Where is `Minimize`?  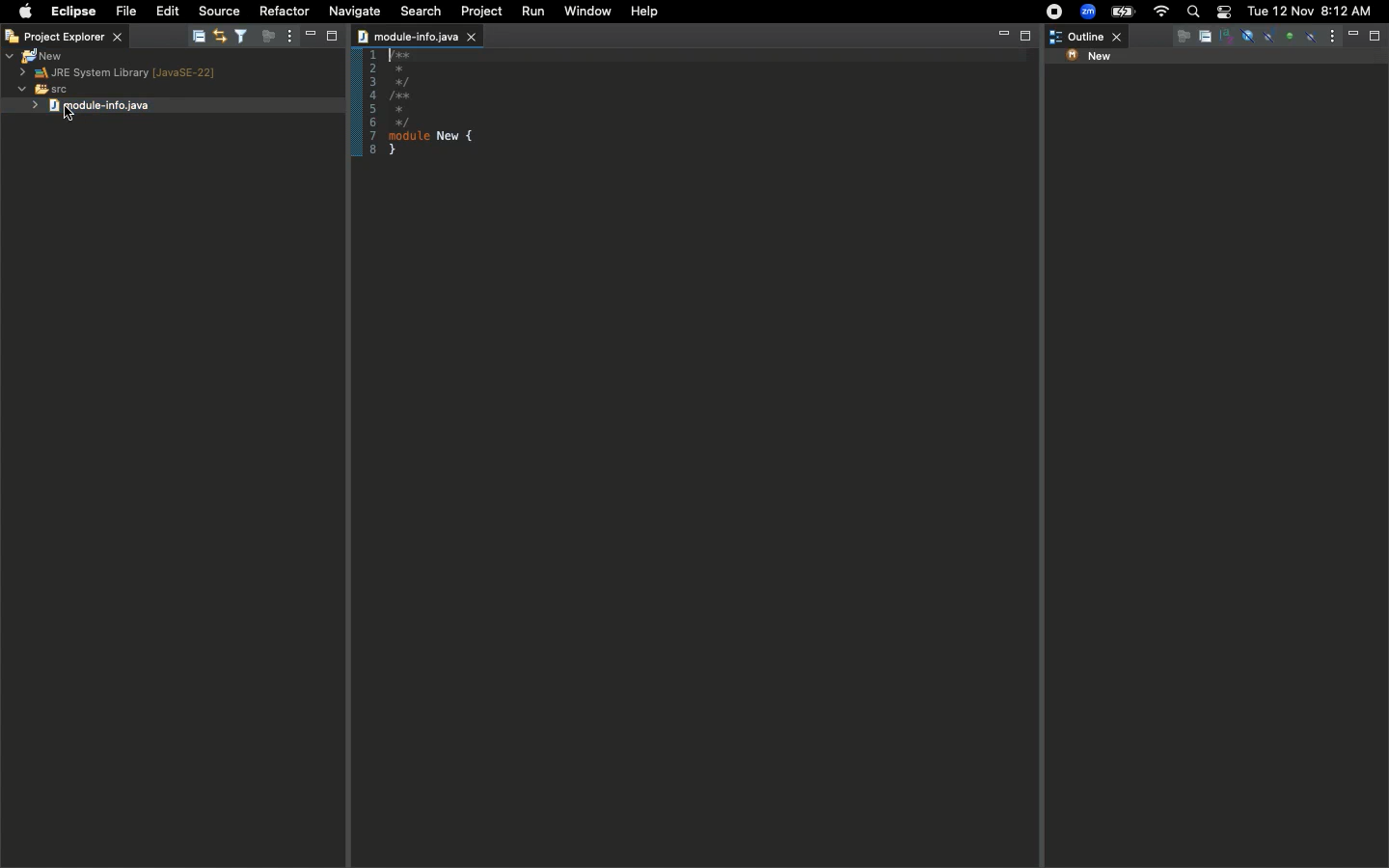
Minimize is located at coordinates (1354, 35).